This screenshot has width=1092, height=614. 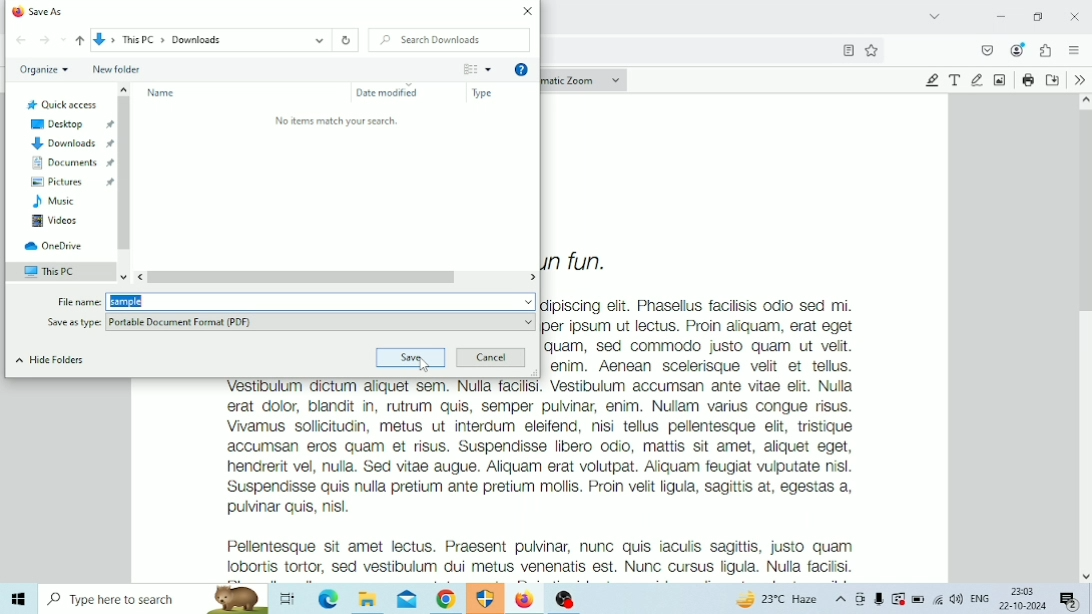 I want to click on scroll down, so click(x=123, y=277).